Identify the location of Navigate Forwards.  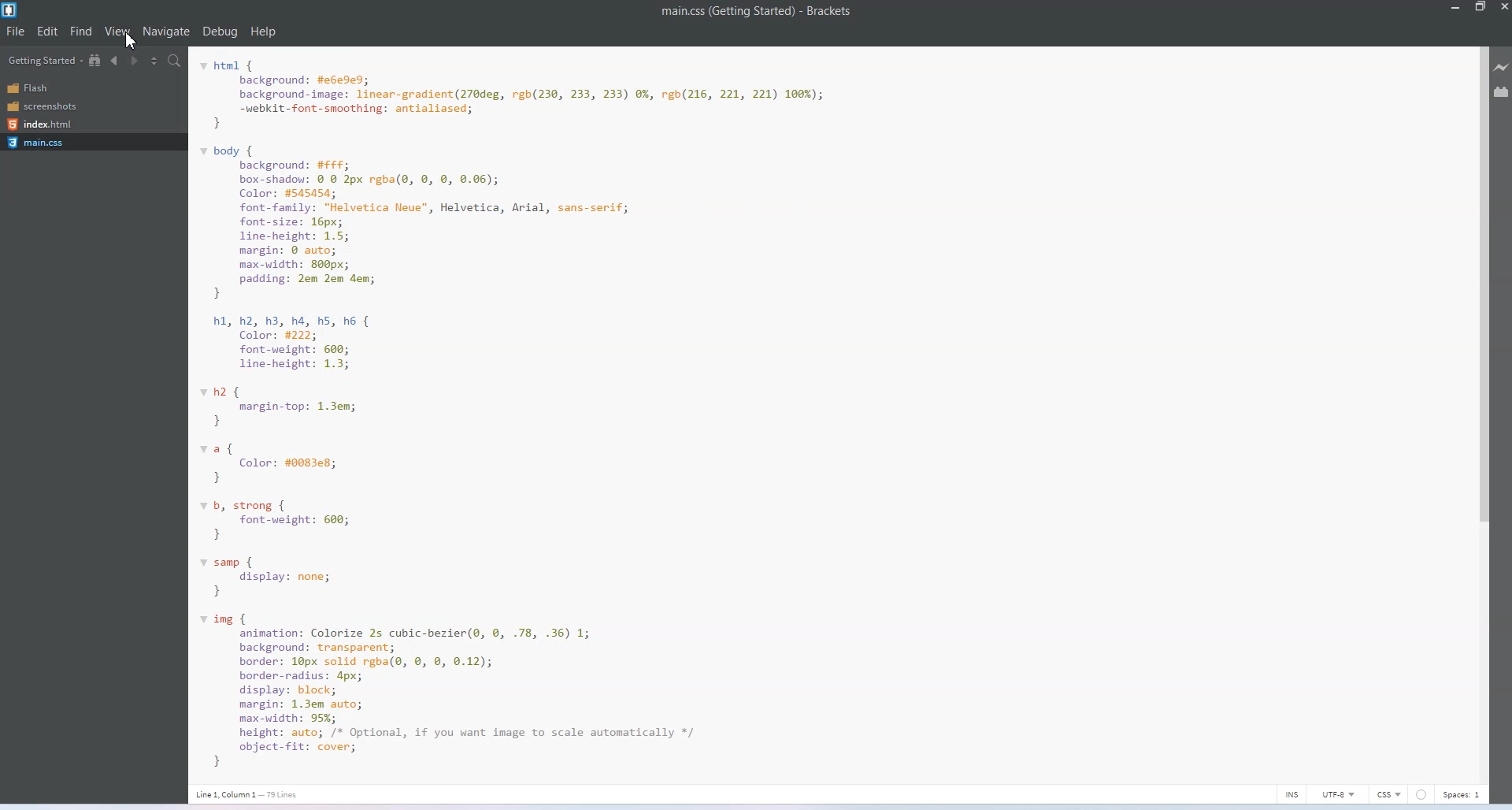
(135, 61).